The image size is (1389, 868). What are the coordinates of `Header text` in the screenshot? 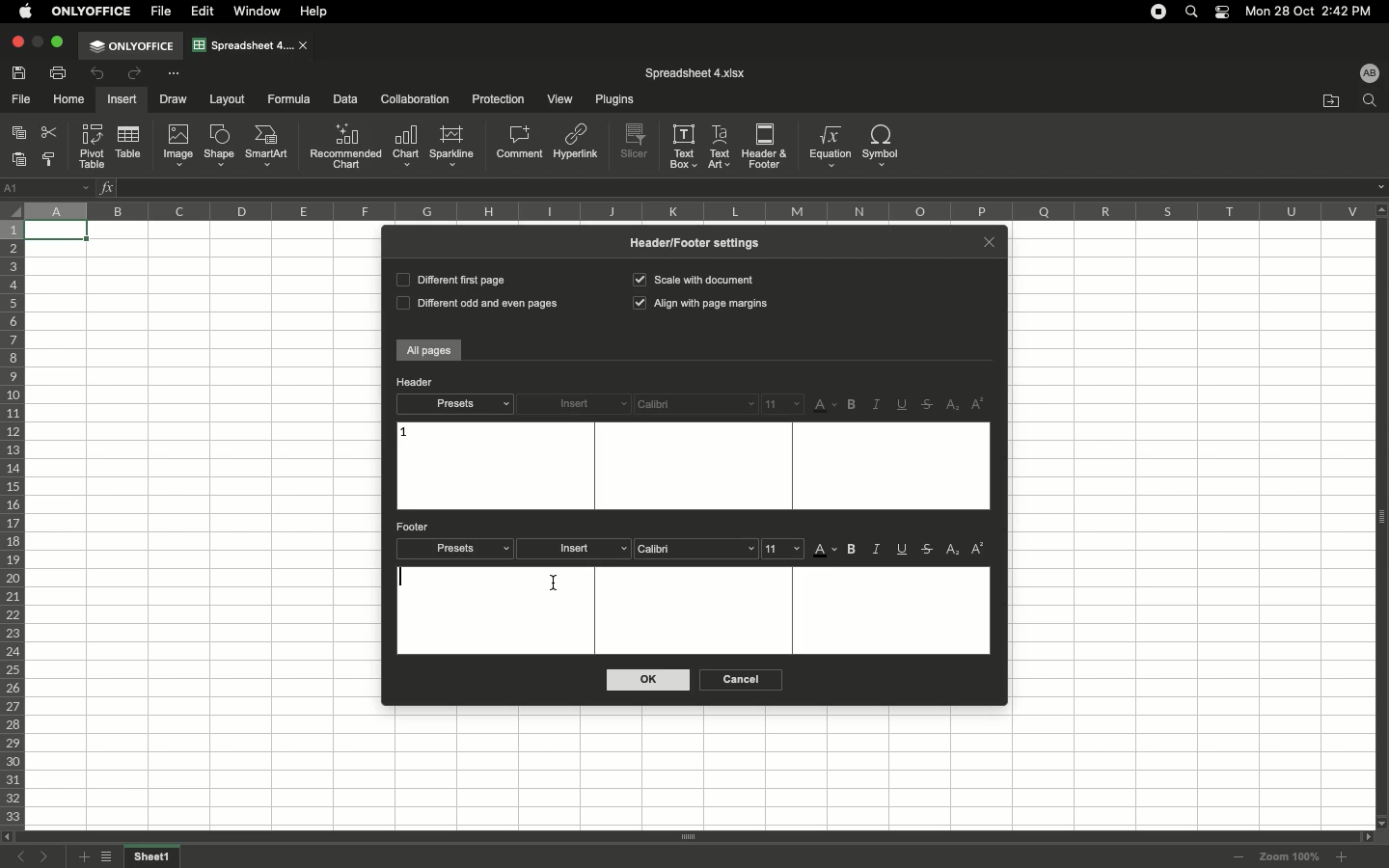 It's located at (404, 433).